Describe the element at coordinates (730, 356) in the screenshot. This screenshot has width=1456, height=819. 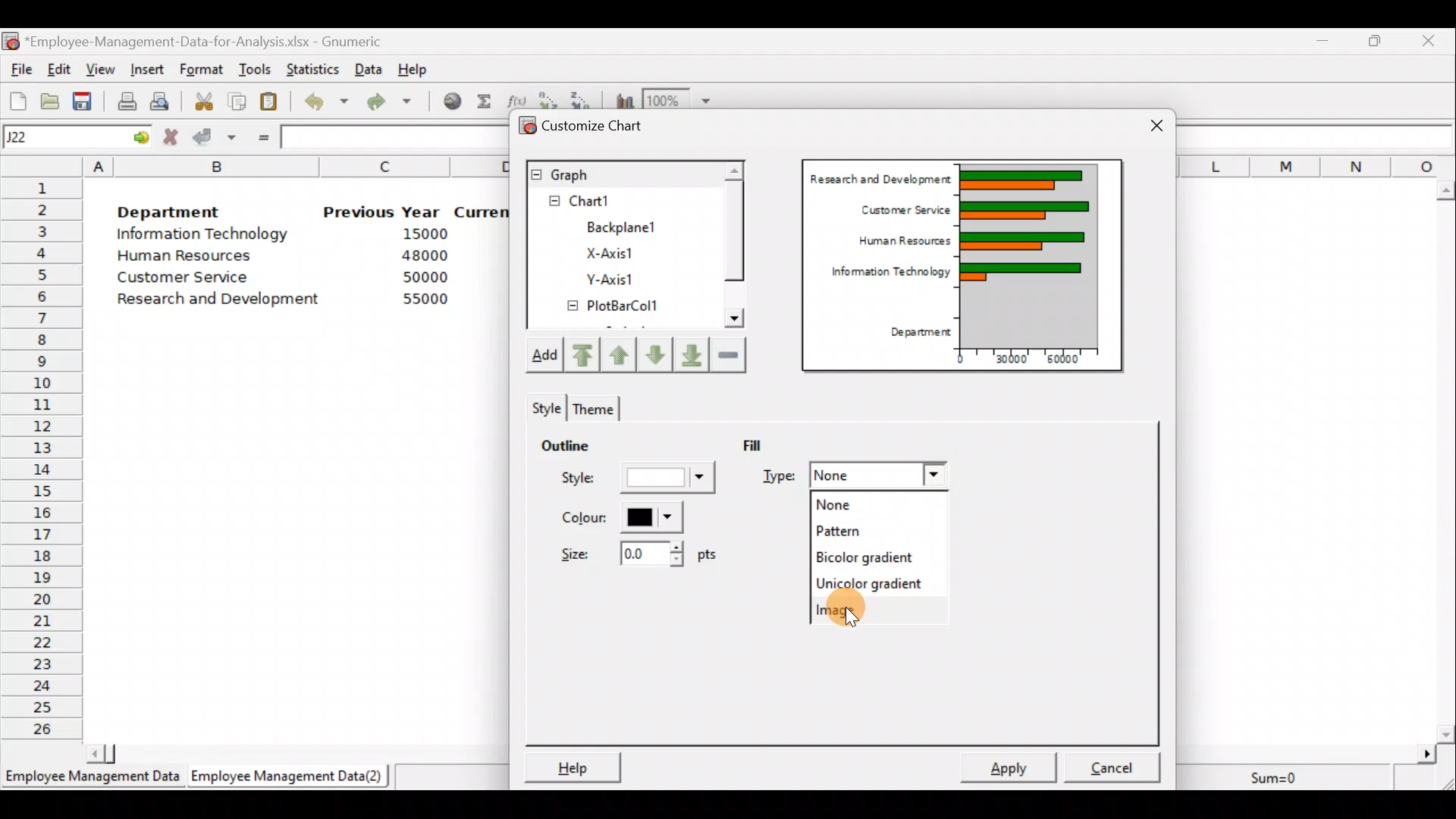
I see `Remove` at that location.